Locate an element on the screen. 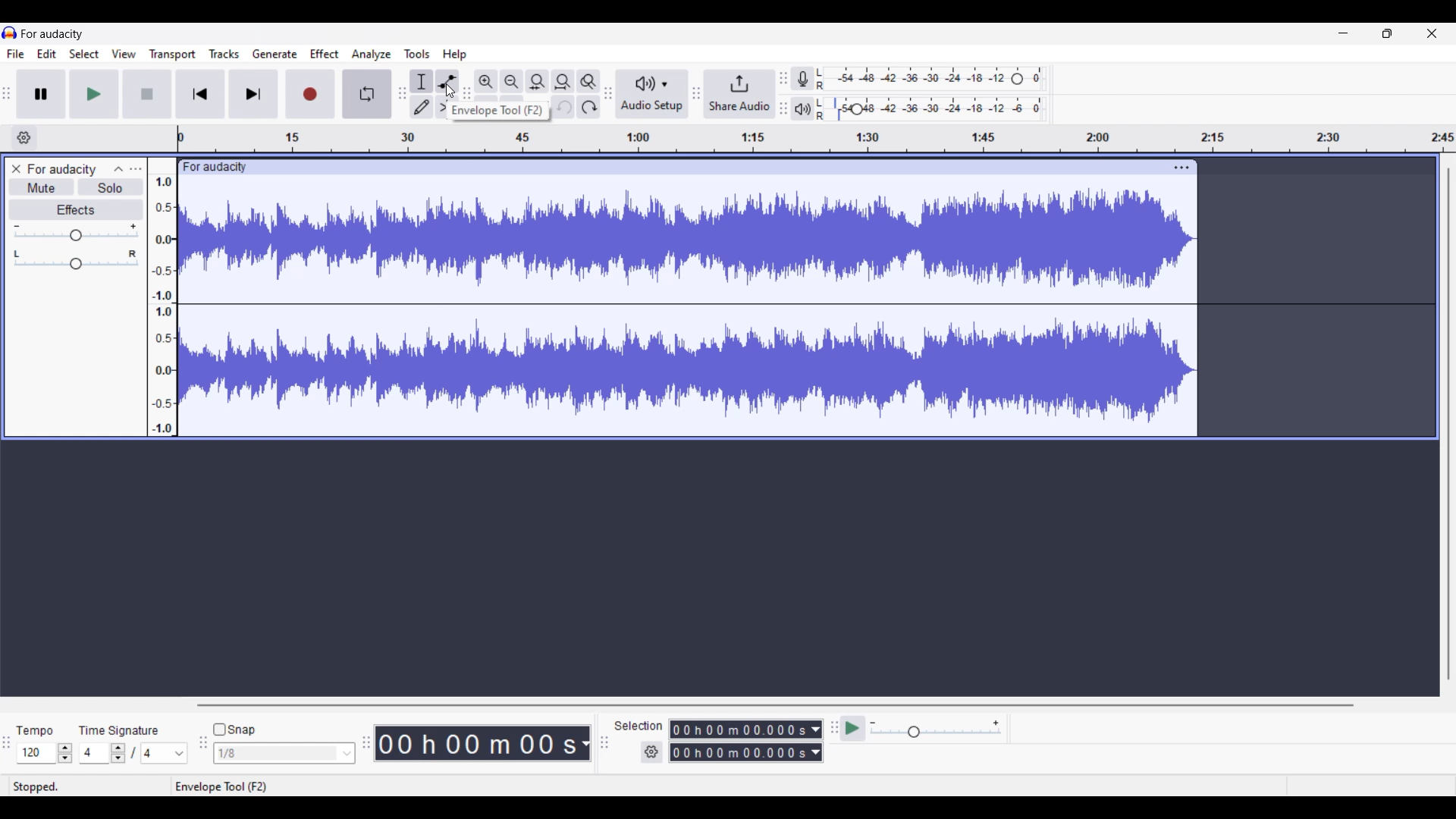 This screenshot has width=1456, height=819. Generate is located at coordinates (275, 54).